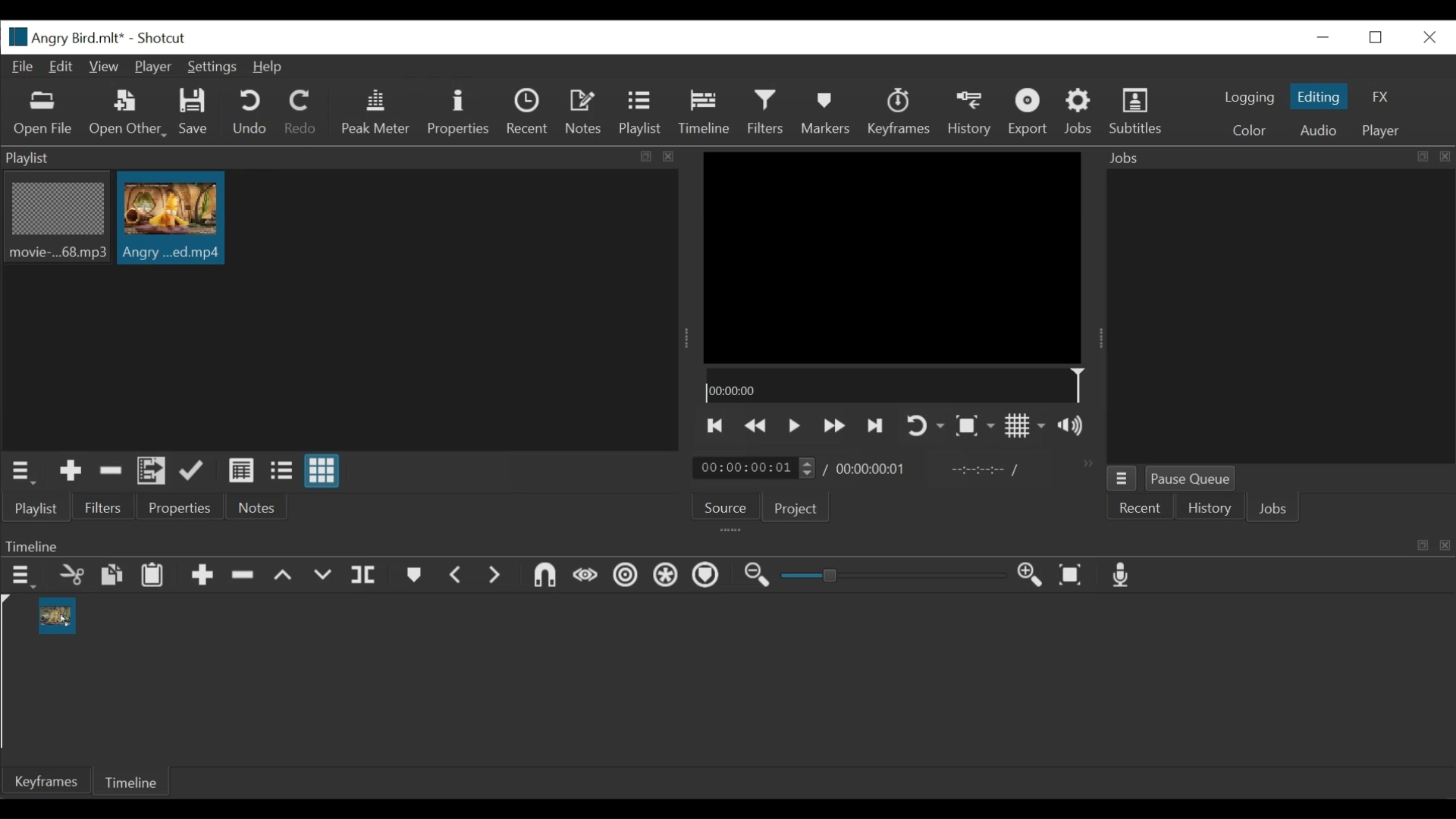  I want to click on Toggle play or pause (space), so click(794, 426).